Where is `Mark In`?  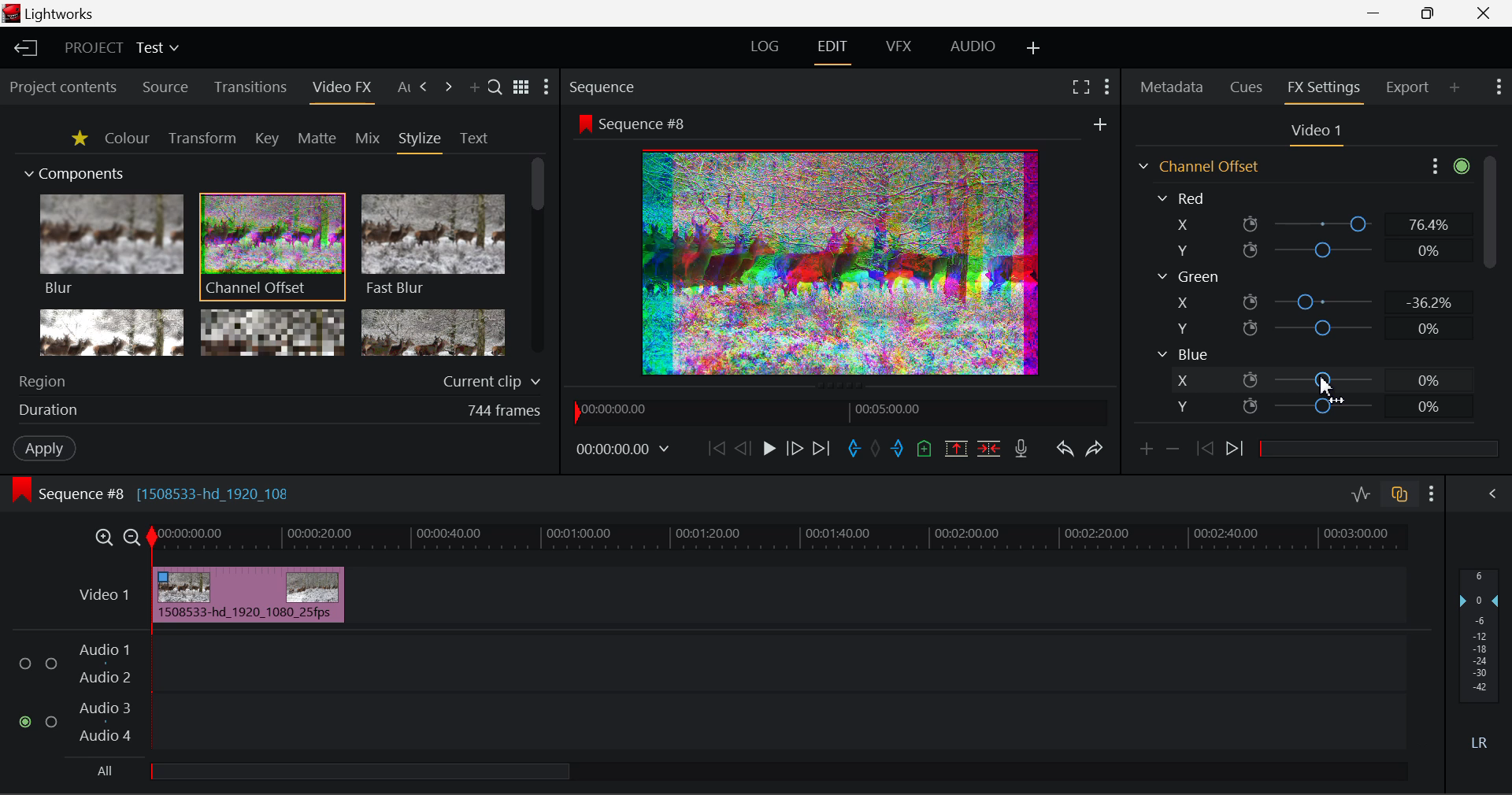
Mark In is located at coordinates (854, 449).